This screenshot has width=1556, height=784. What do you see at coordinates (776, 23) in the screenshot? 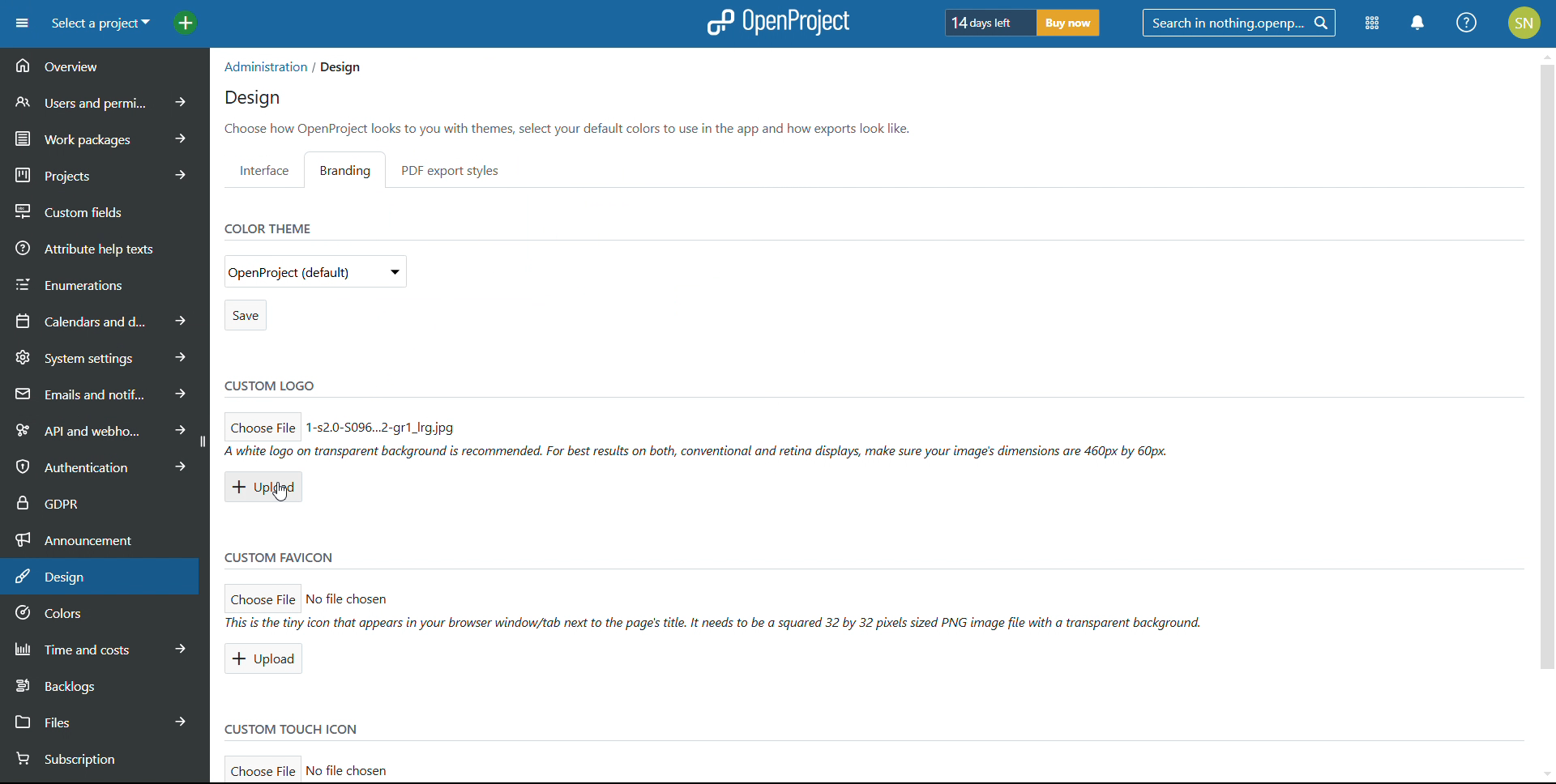
I see `logo` at bounding box center [776, 23].